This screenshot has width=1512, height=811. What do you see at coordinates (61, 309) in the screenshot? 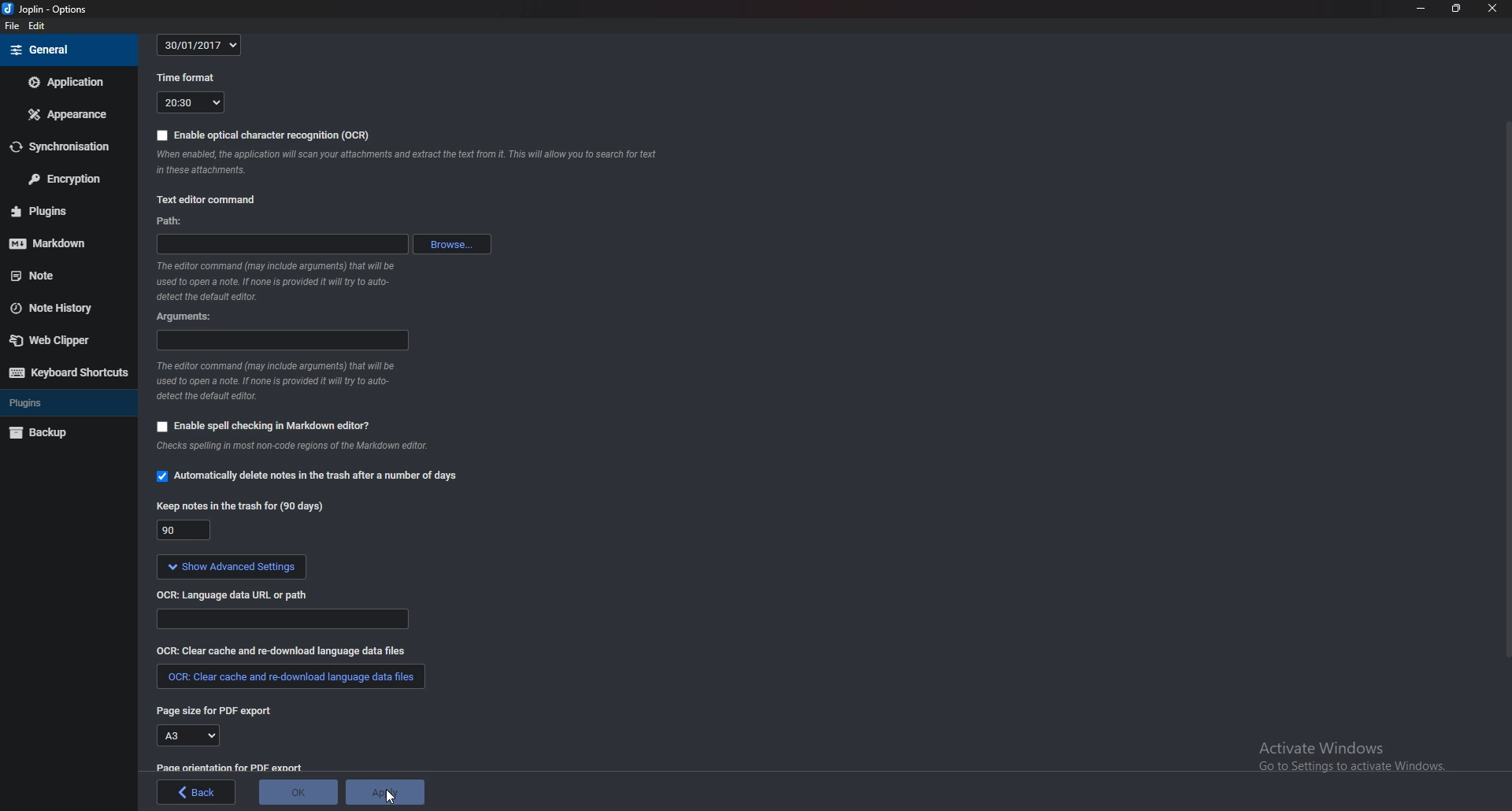
I see `Note history` at bounding box center [61, 309].